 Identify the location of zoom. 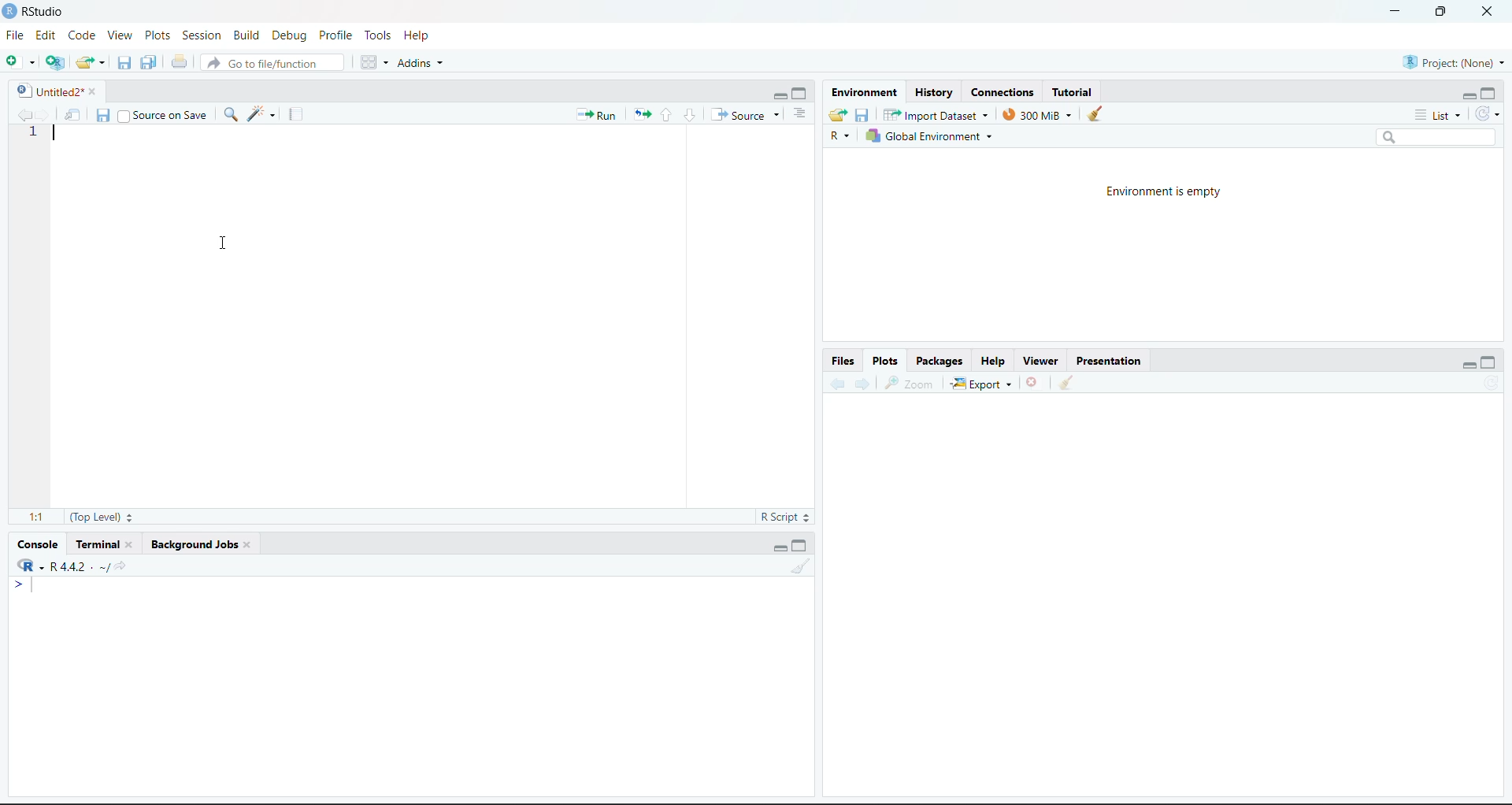
(913, 383).